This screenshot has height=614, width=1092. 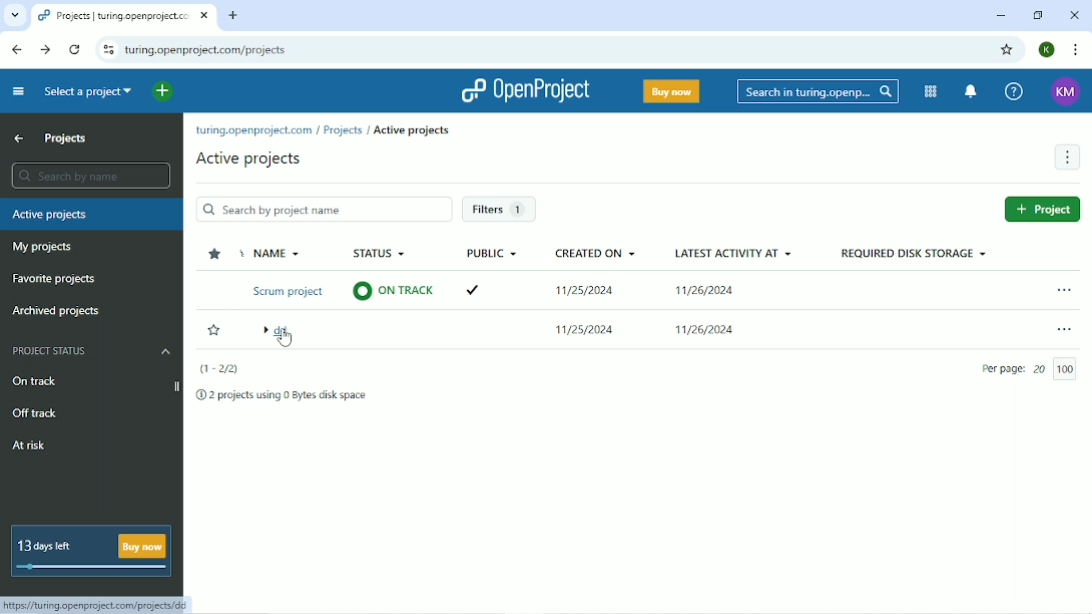 What do you see at coordinates (1007, 50) in the screenshot?
I see `Bookmark this tab` at bounding box center [1007, 50].